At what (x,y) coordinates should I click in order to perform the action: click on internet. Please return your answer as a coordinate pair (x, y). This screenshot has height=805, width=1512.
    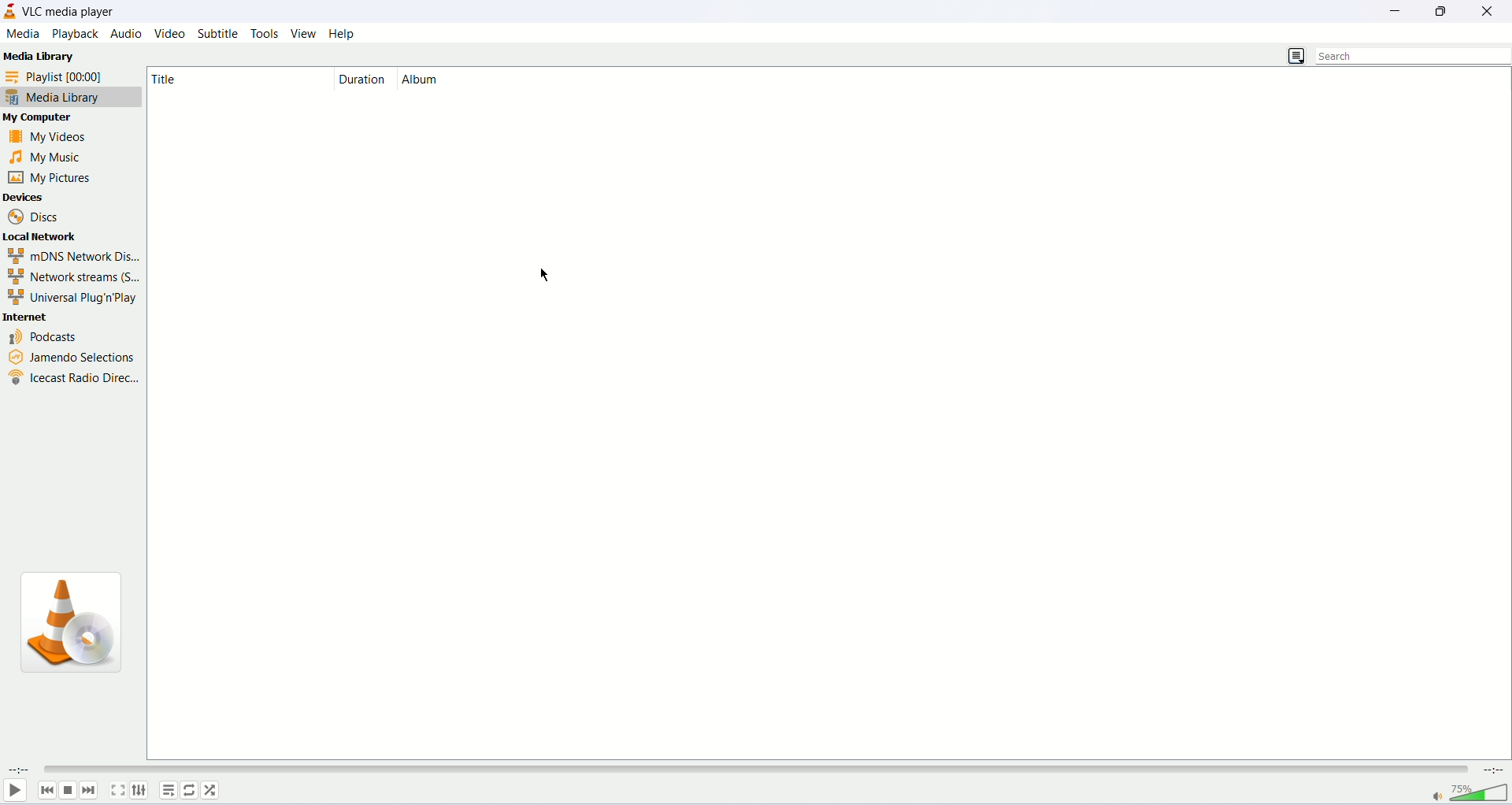
    Looking at the image, I should click on (27, 317).